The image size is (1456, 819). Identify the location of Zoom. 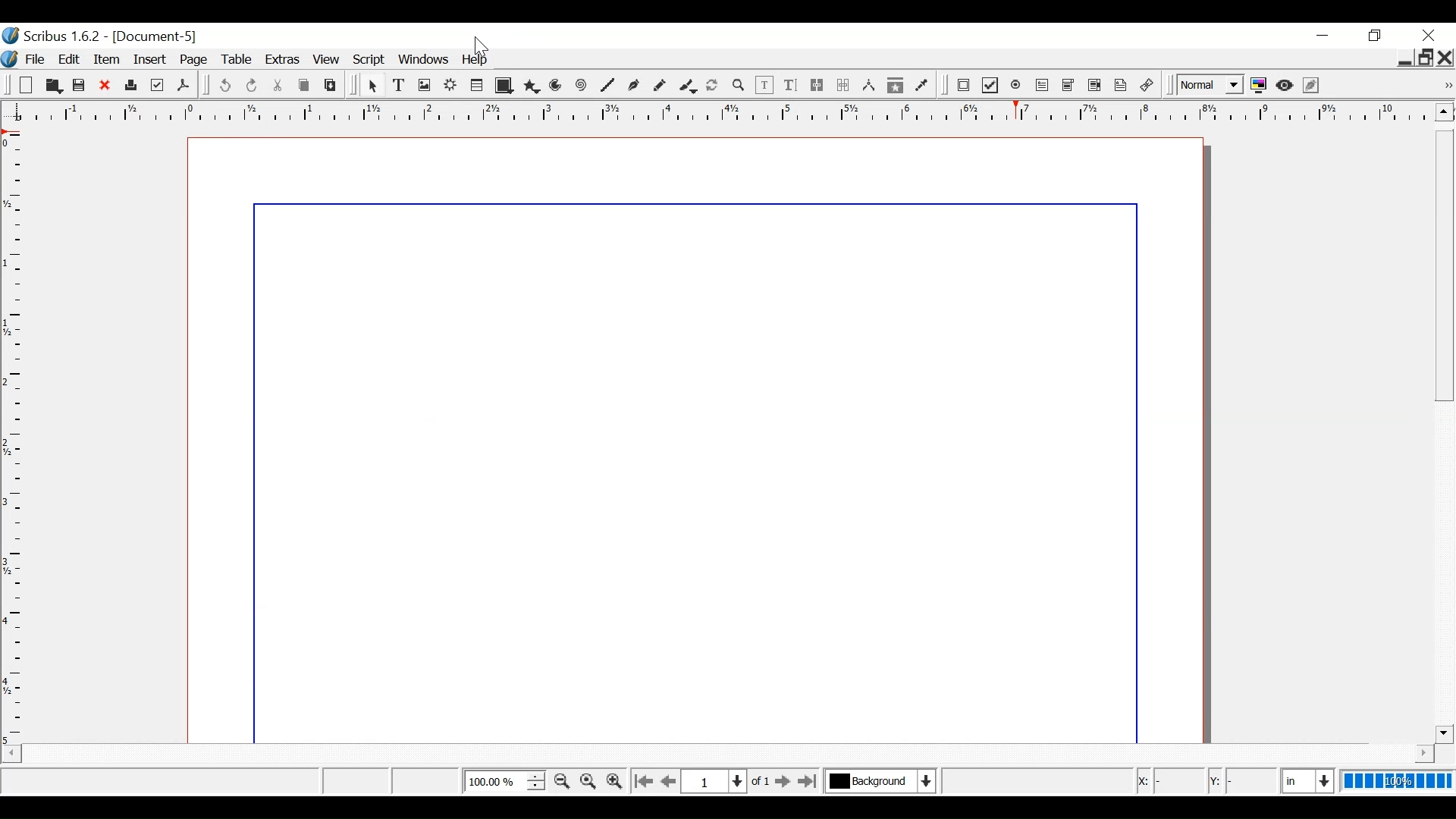
(738, 86).